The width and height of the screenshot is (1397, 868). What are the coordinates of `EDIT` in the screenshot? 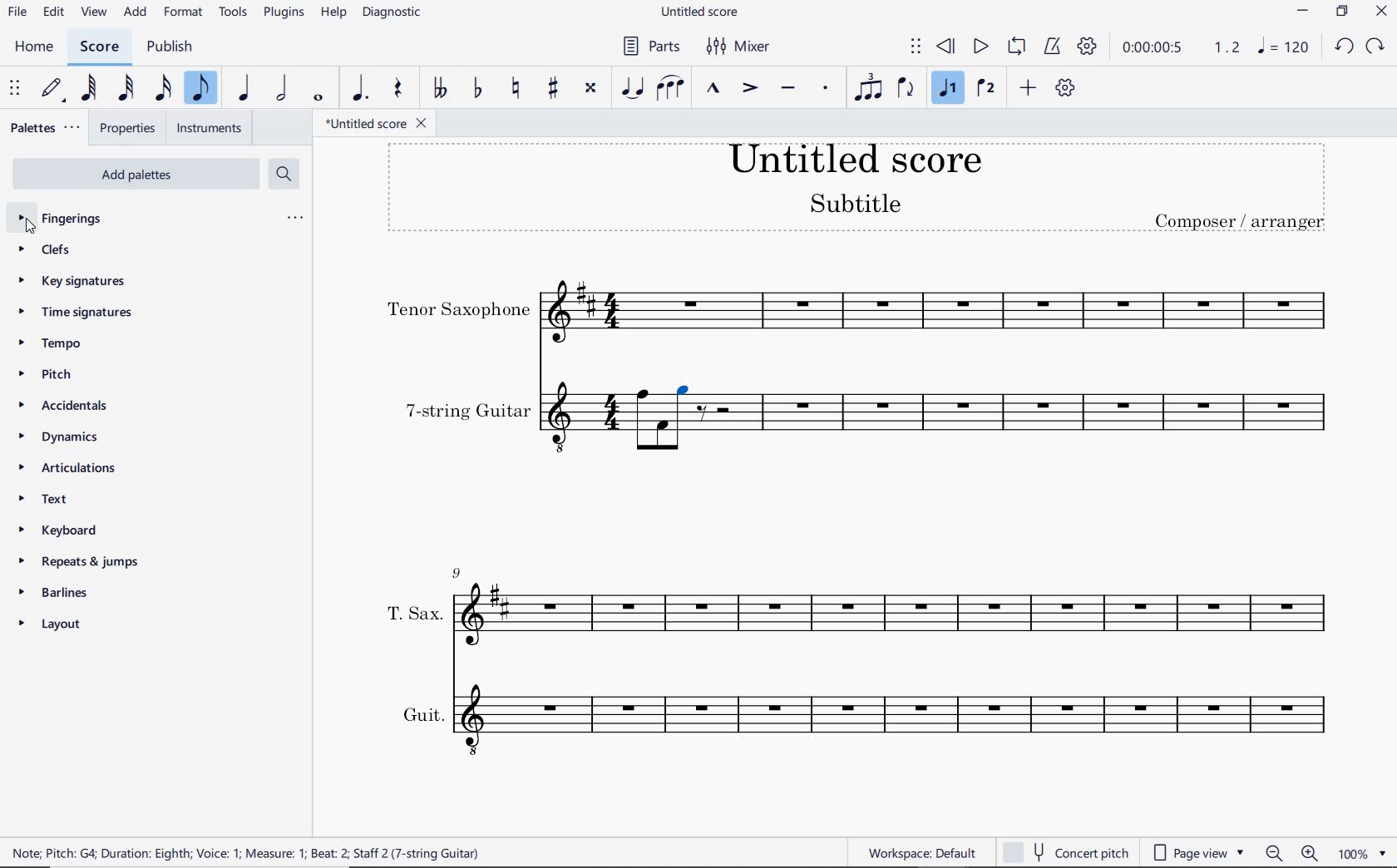 It's located at (52, 13).